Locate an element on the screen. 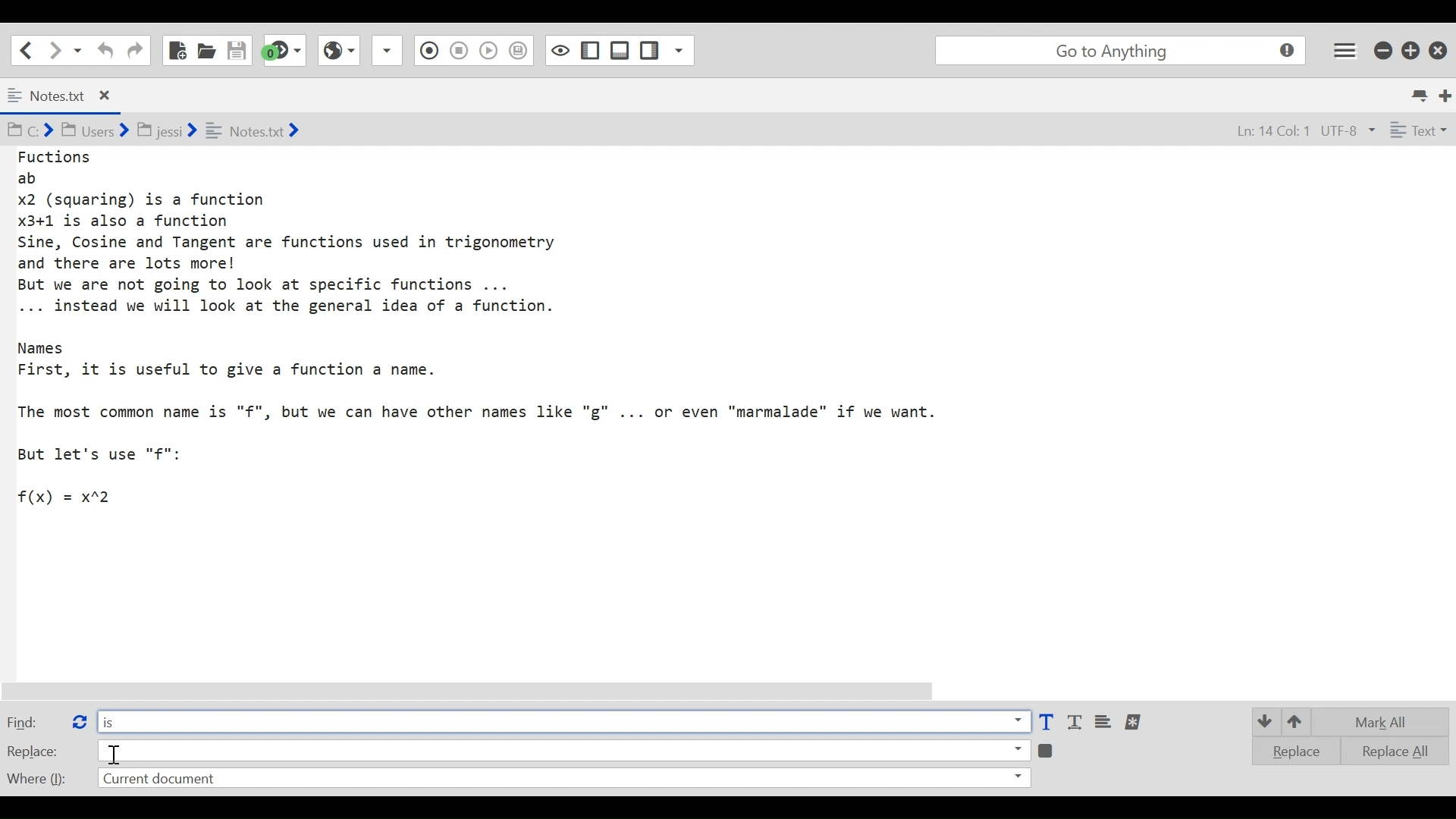 Image resolution: width=1456 pixels, height=819 pixels. Replace All is located at coordinates (1385, 749).